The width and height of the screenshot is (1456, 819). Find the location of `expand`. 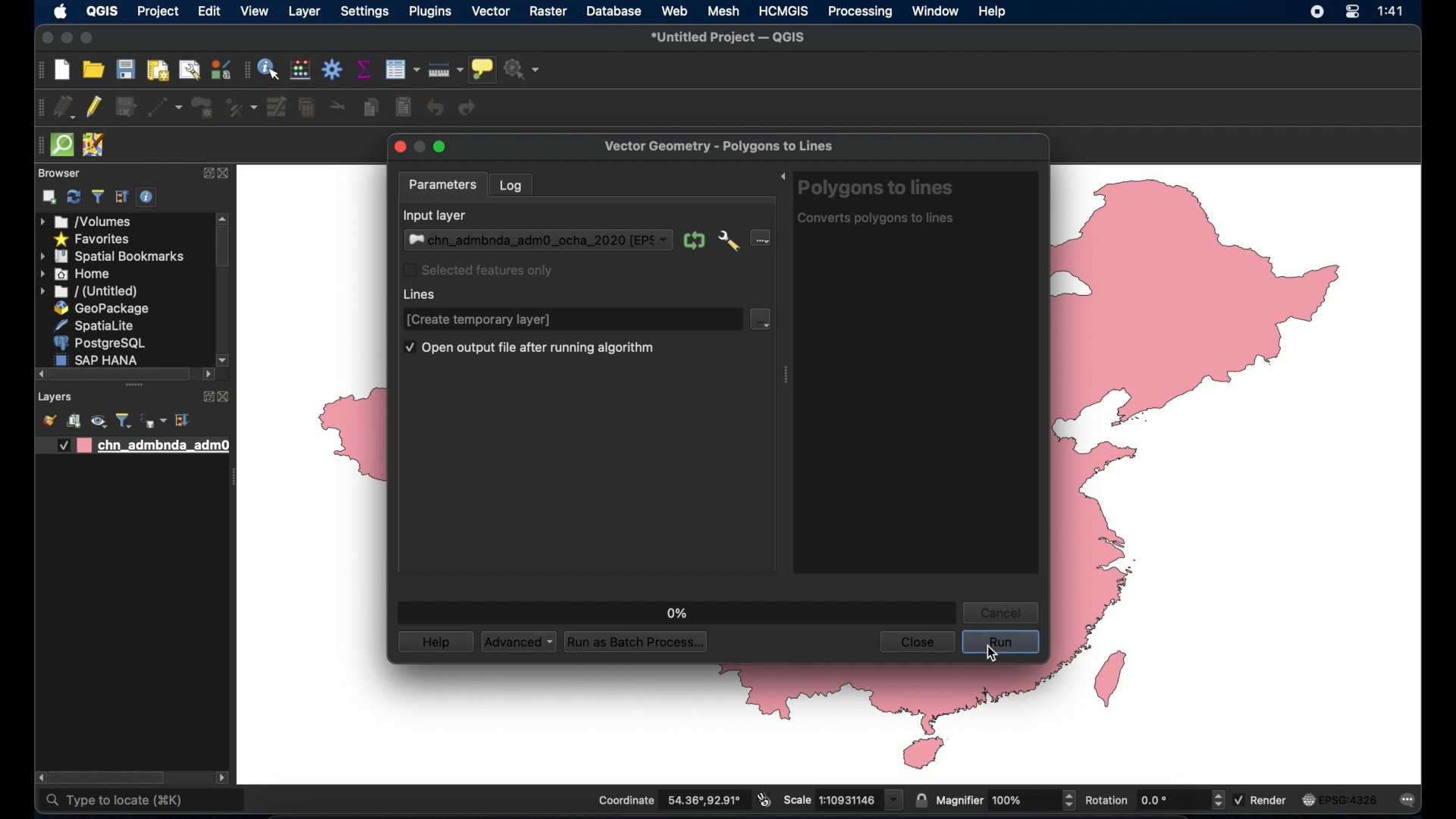

expand is located at coordinates (206, 397).